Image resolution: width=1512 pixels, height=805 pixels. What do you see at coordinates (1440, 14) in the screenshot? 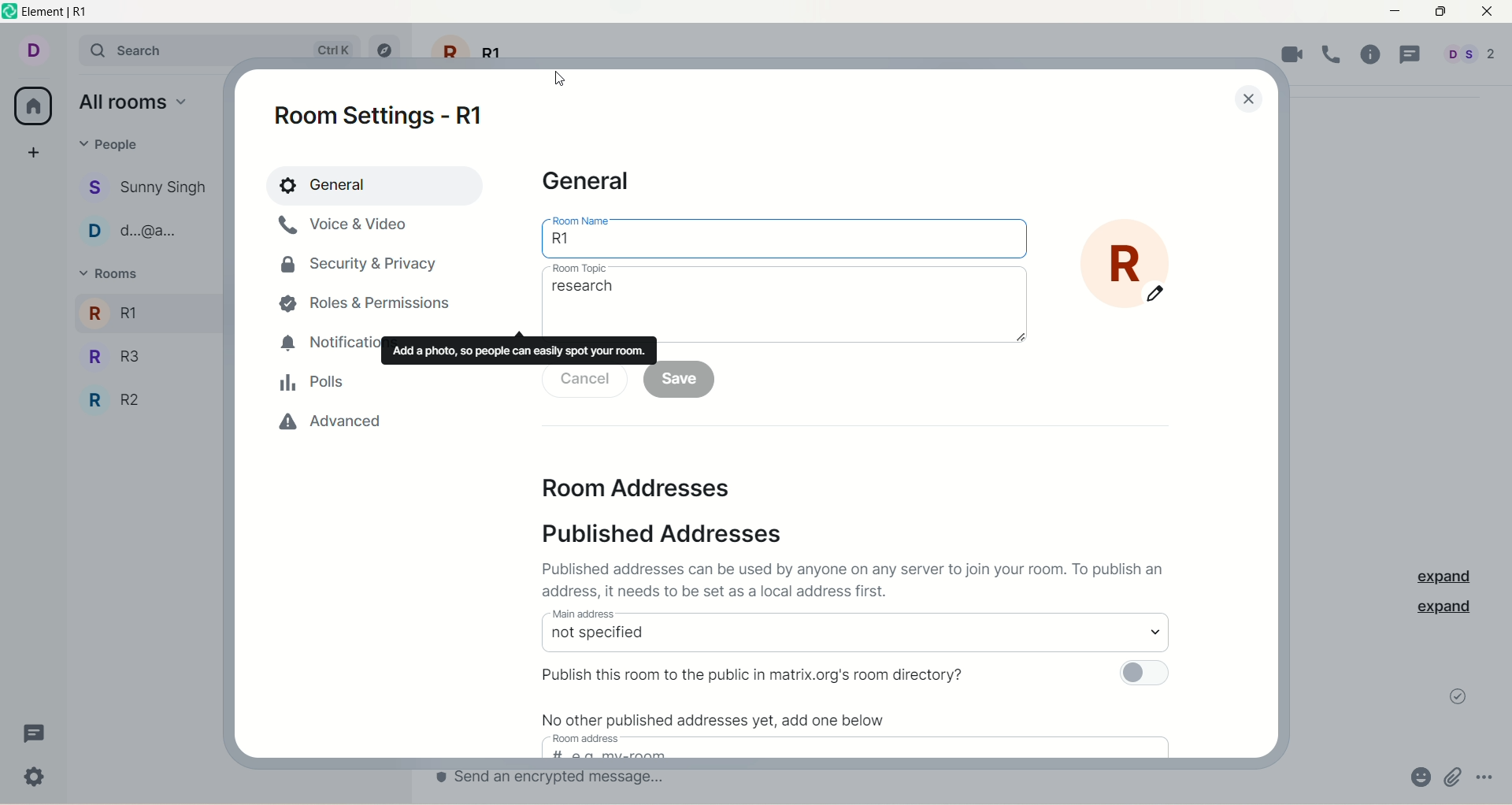
I see `maximize` at bounding box center [1440, 14].